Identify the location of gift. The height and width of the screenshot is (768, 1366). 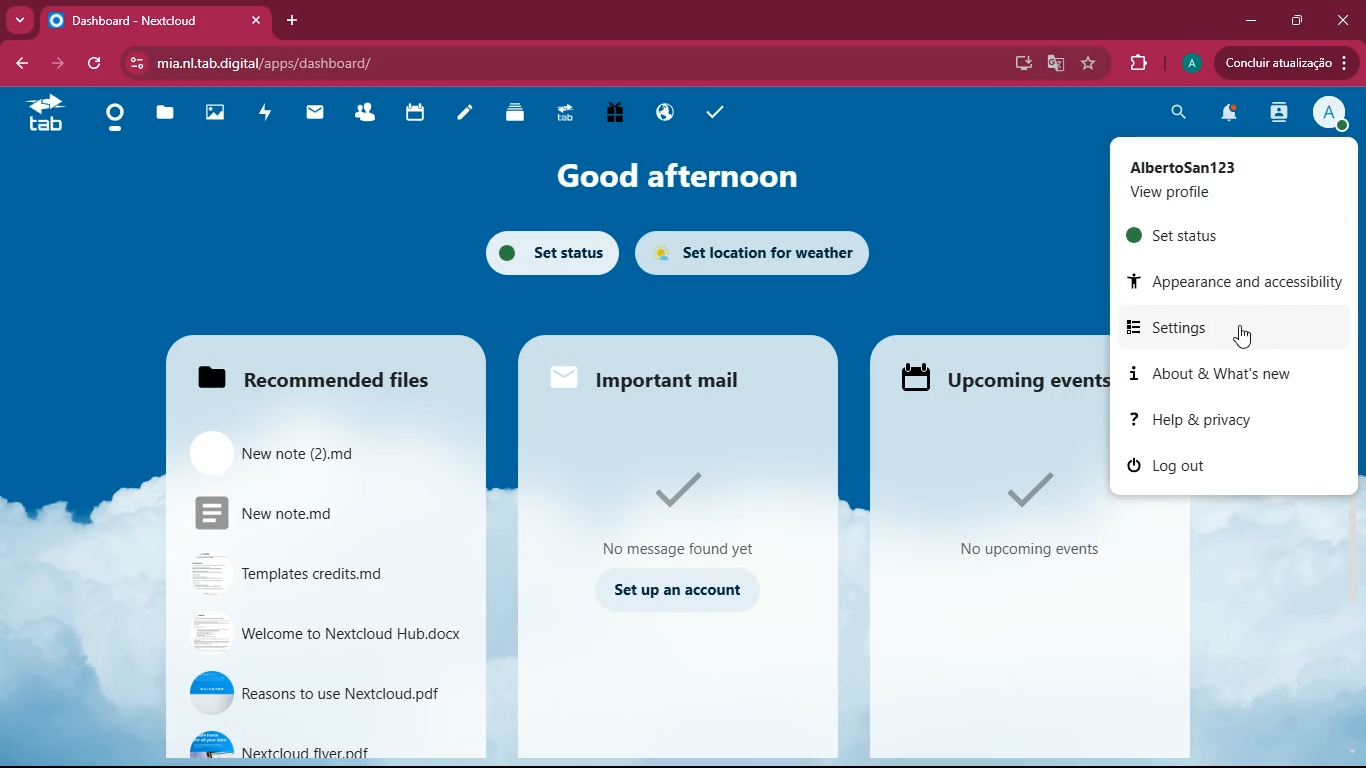
(616, 114).